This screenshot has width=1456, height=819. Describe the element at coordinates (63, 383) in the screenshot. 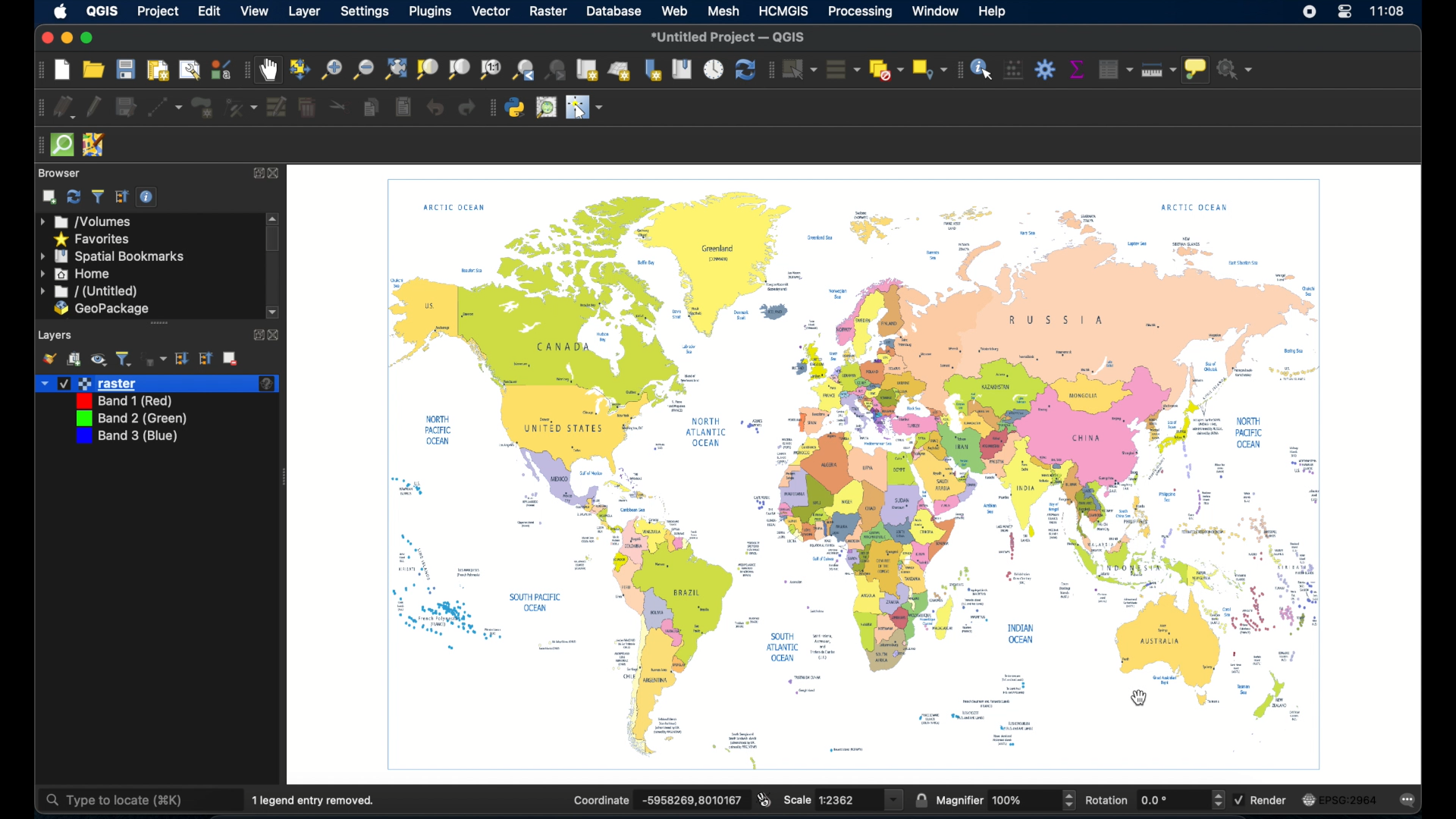

I see `checkbox` at that location.